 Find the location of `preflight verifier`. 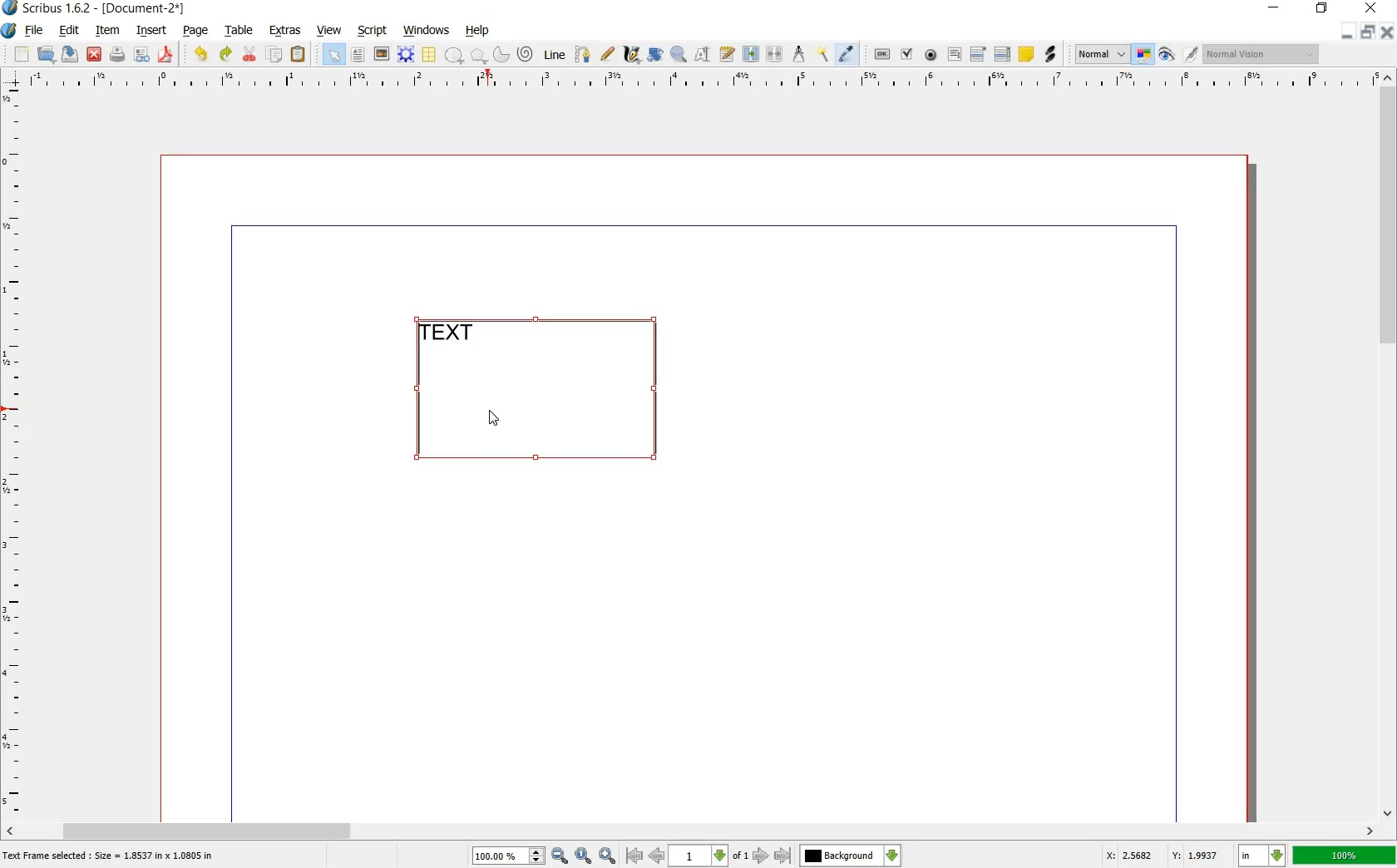

preflight verifier is located at coordinates (141, 55).